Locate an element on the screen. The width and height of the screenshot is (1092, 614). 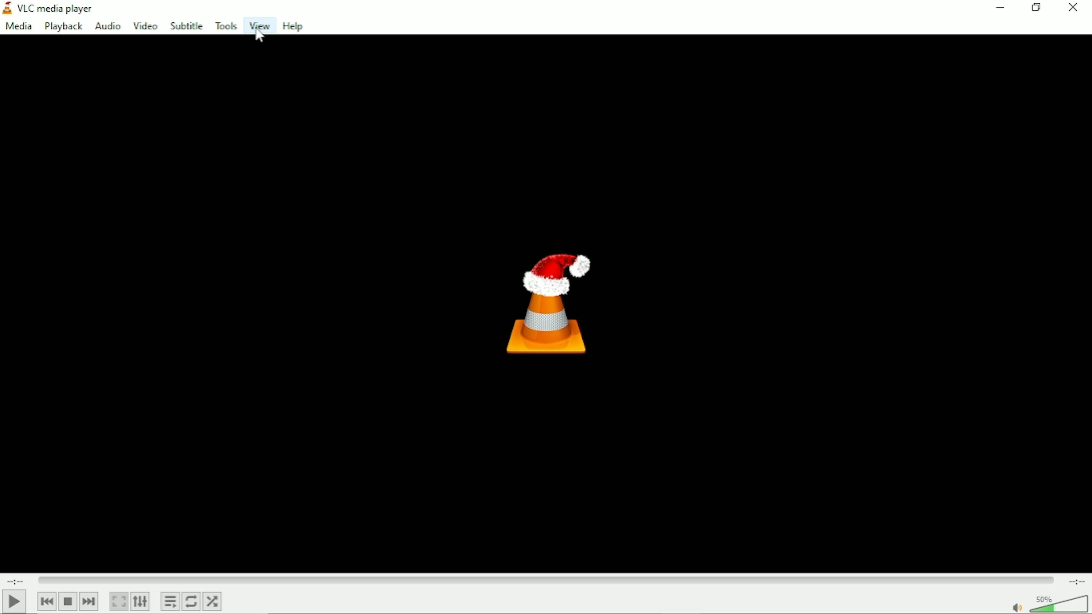
Cursor is located at coordinates (260, 36).